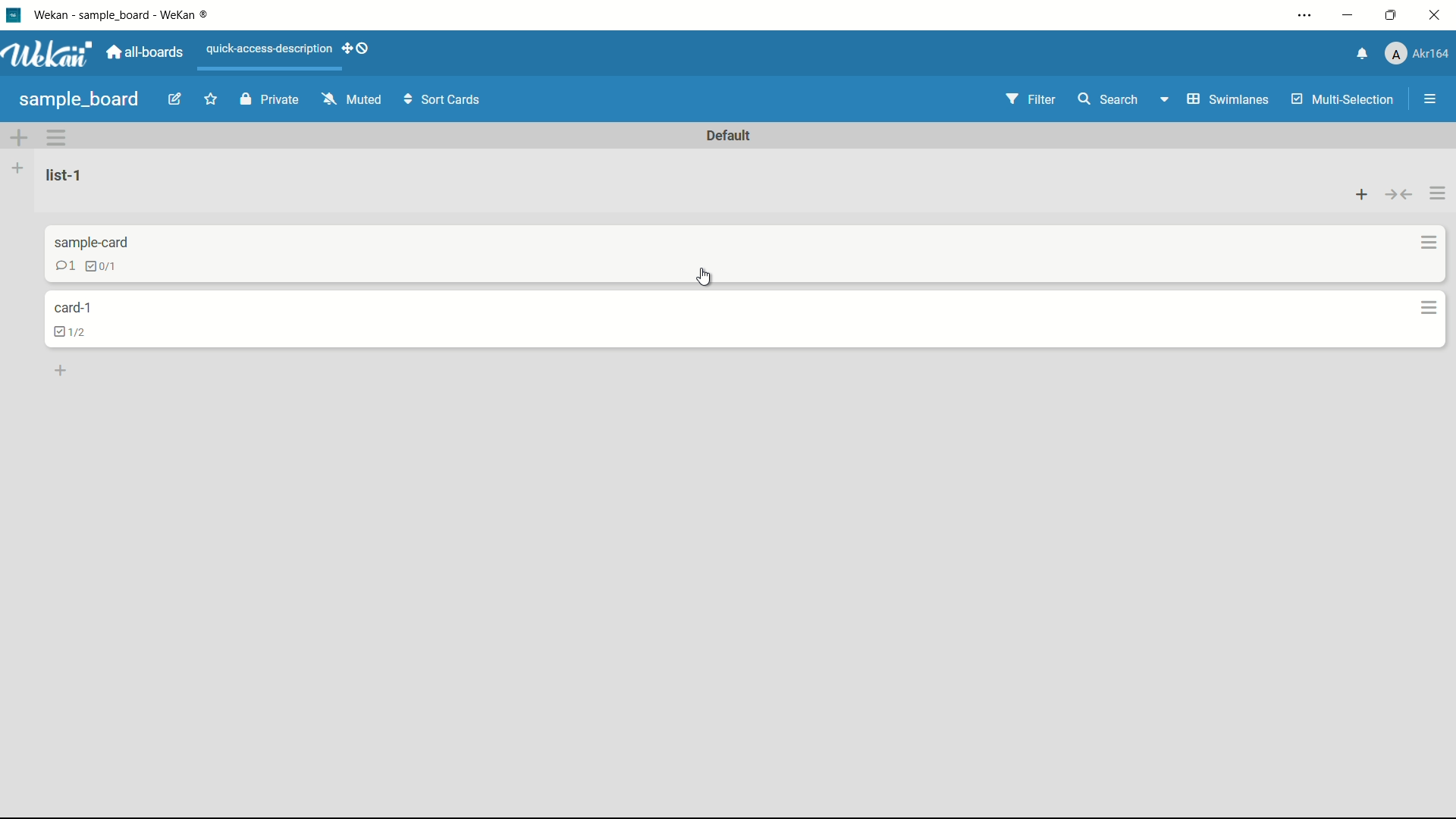 The width and height of the screenshot is (1456, 819). Describe the element at coordinates (1428, 243) in the screenshot. I see `card actions` at that location.